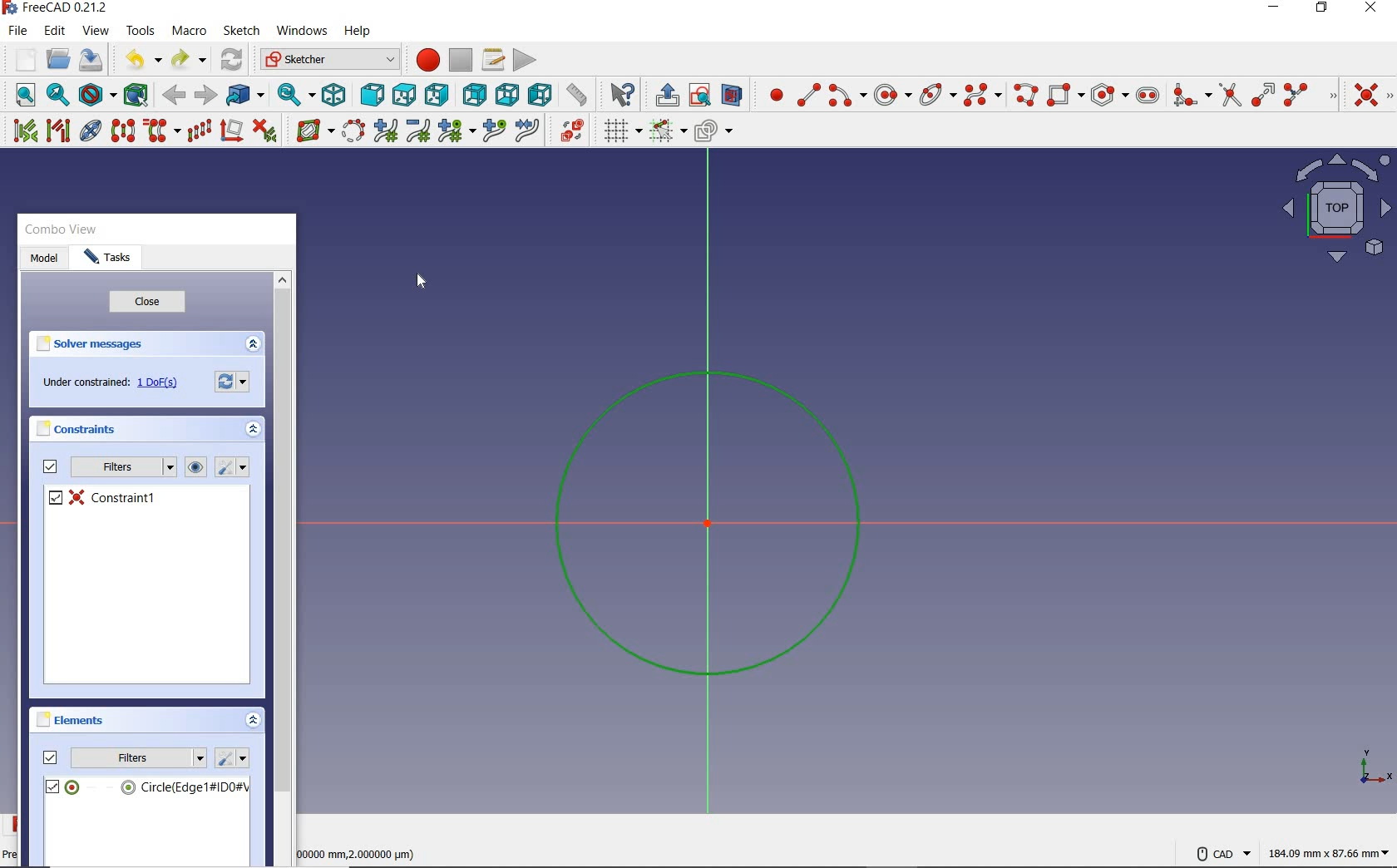  Describe the element at coordinates (254, 344) in the screenshot. I see `collapse` at that location.